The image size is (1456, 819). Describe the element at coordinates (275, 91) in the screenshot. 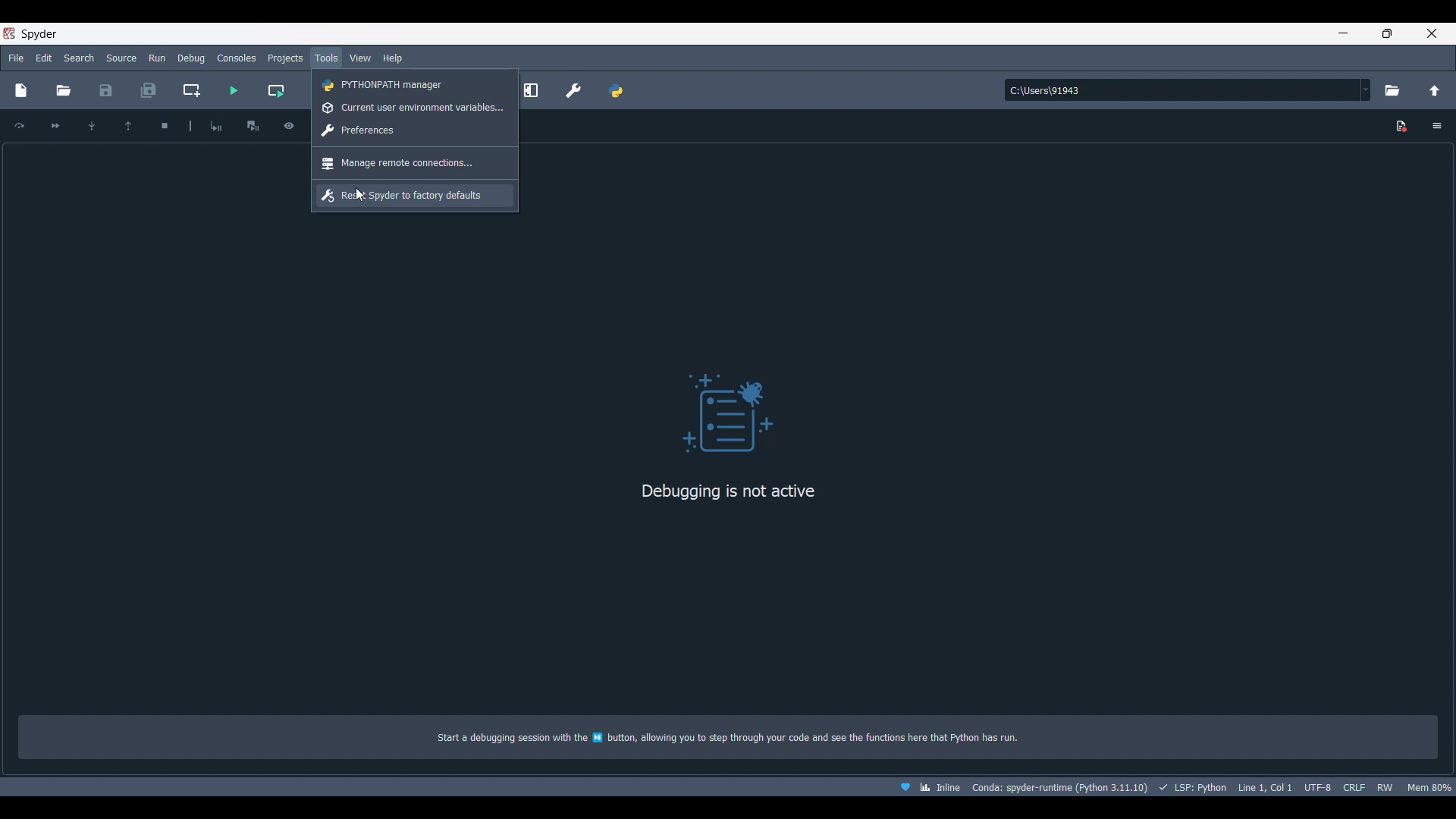

I see `Run current cell` at that location.